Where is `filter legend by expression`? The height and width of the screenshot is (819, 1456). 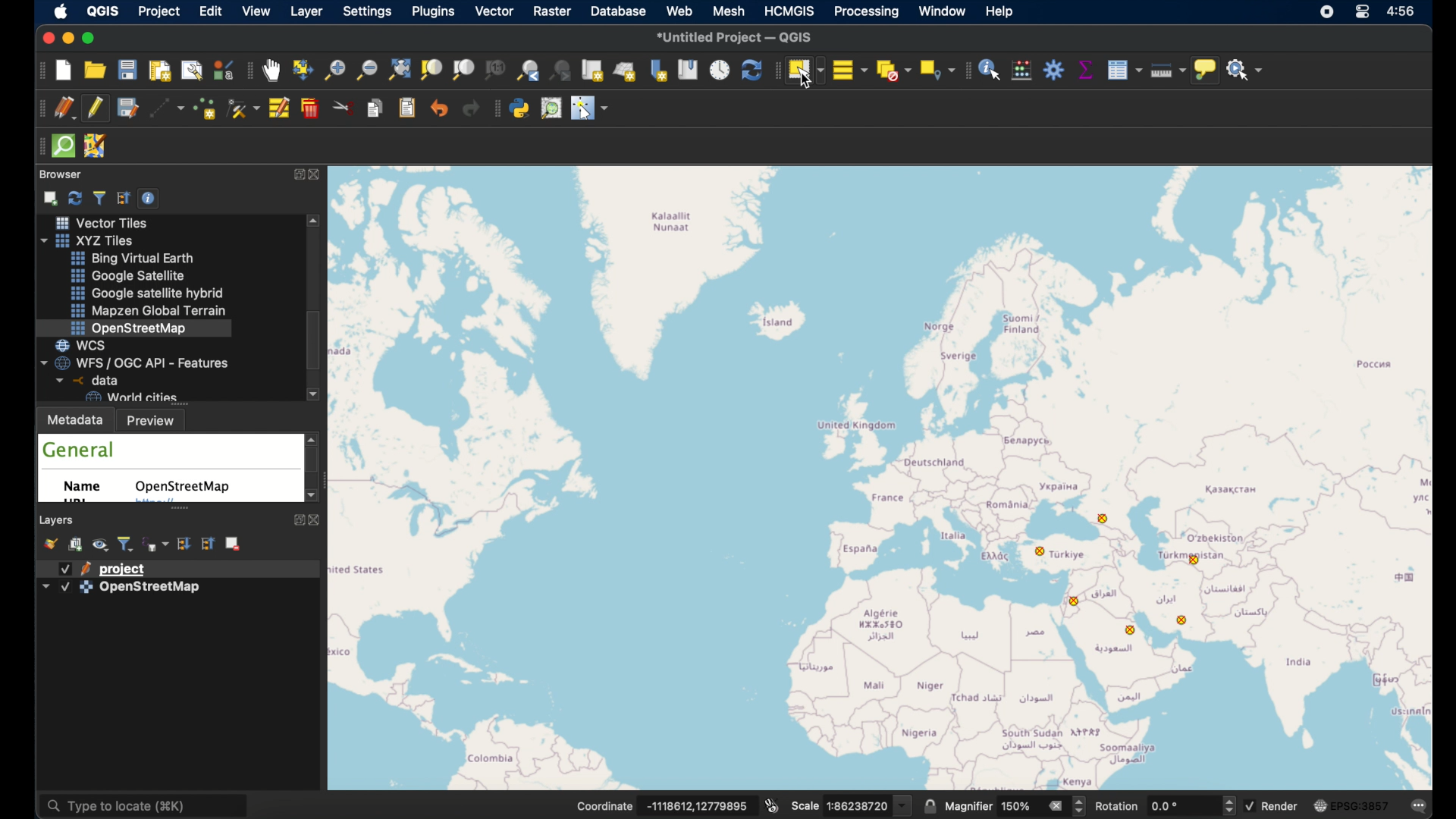
filter legend by expression is located at coordinates (156, 543).